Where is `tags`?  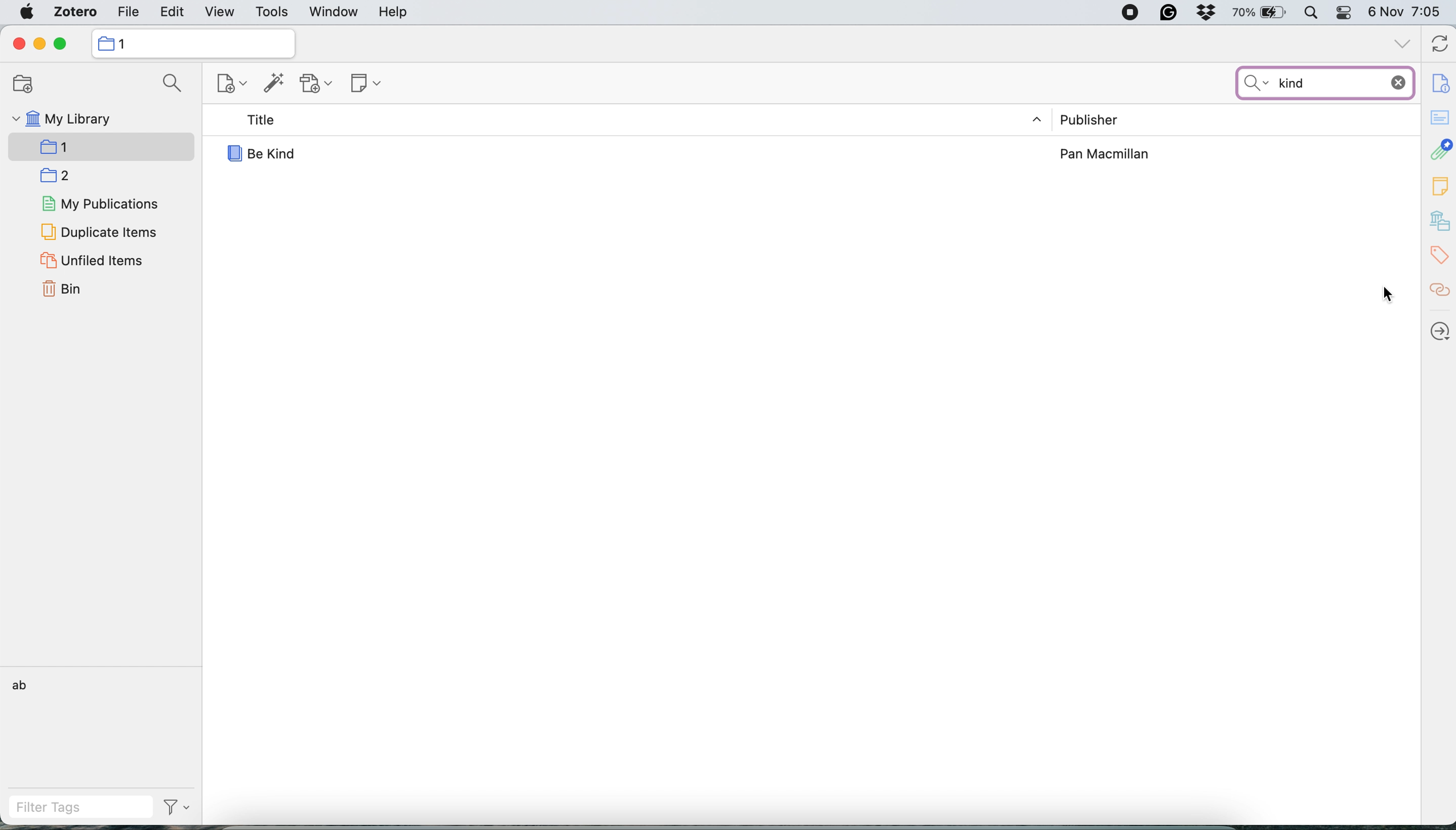 tags is located at coordinates (1438, 256).